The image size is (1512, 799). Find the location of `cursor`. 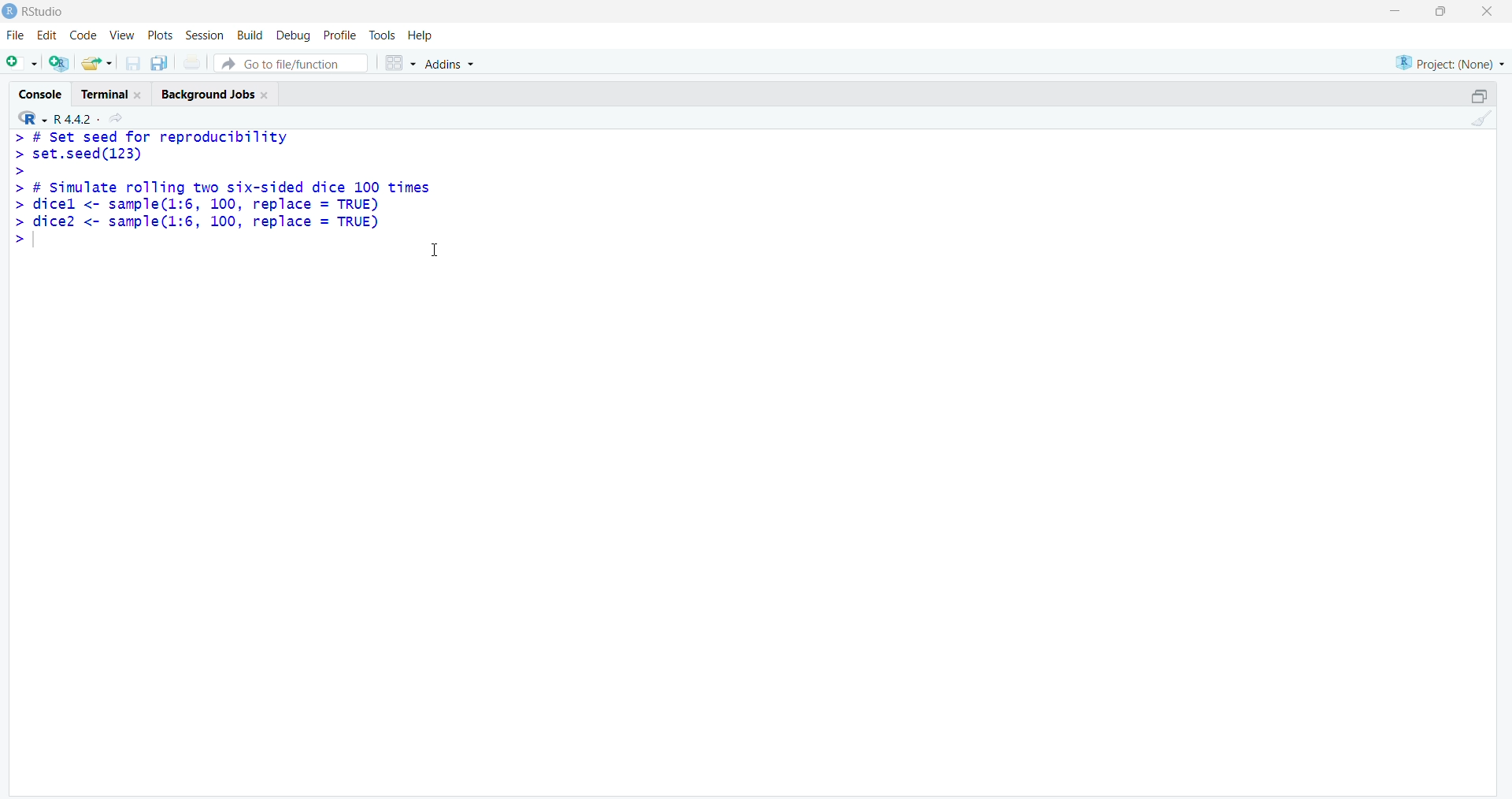

cursor is located at coordinates (435, 250).